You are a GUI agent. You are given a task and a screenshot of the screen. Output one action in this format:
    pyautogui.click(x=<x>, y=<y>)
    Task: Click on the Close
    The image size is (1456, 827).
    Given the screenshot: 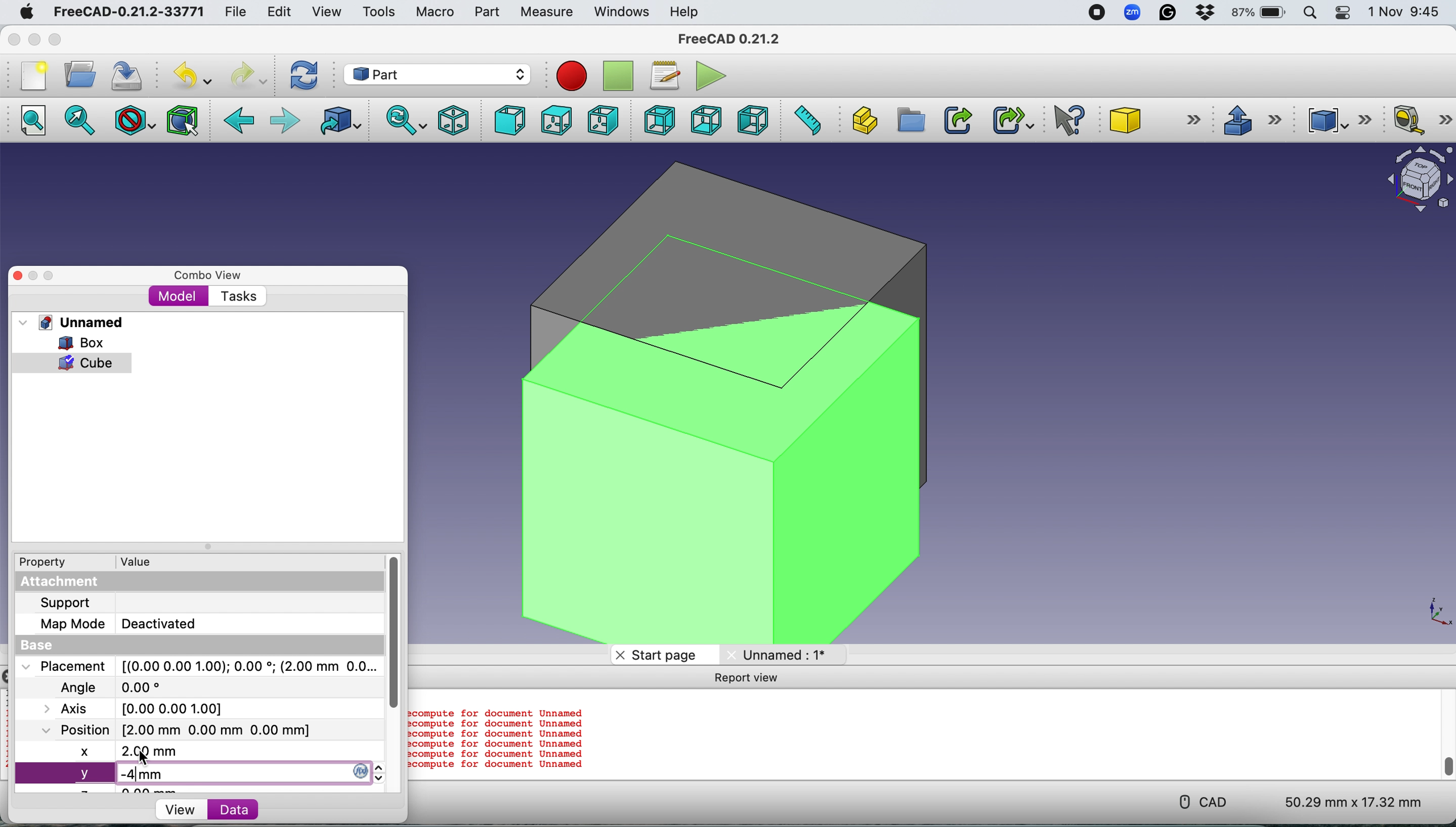 What is the action you would take?
    pyautogui.click(x=14, y=39)
    